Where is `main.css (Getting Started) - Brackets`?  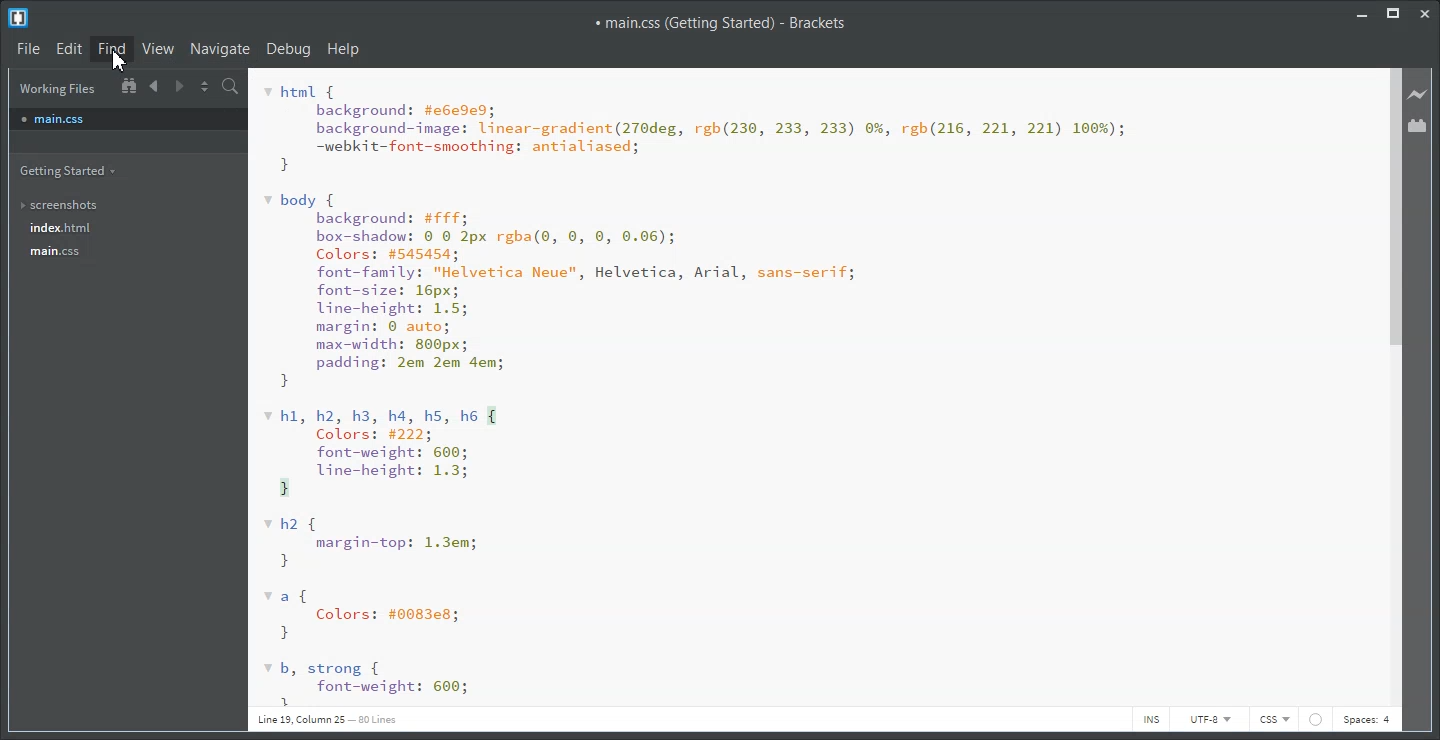
main.css (Getting Started) - Brackets is located at coordinates (720, 22).